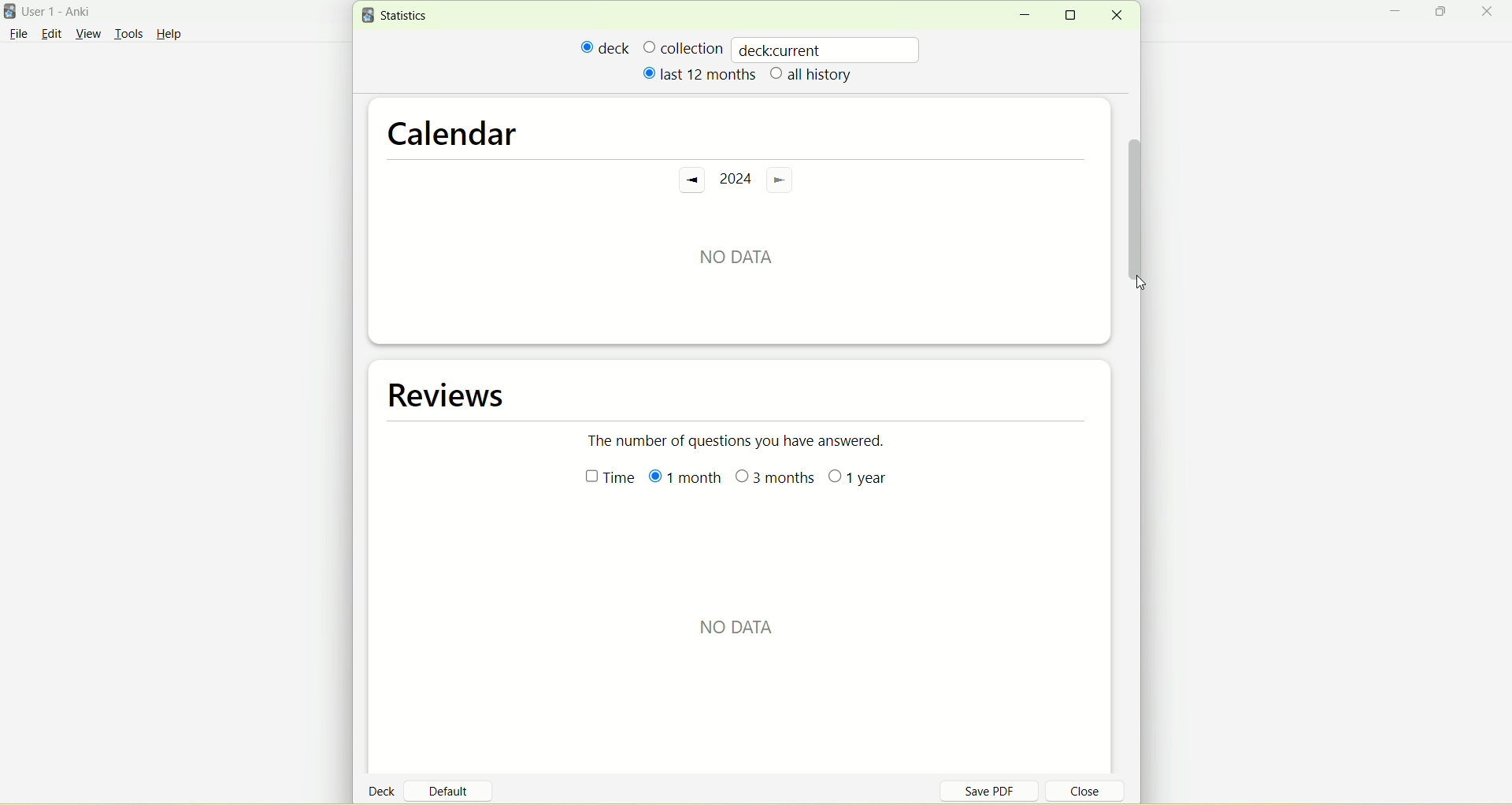  What do you see at coordinates (51, 33) in the screenshot?
I see `edit` at bounding box center [51, 33].